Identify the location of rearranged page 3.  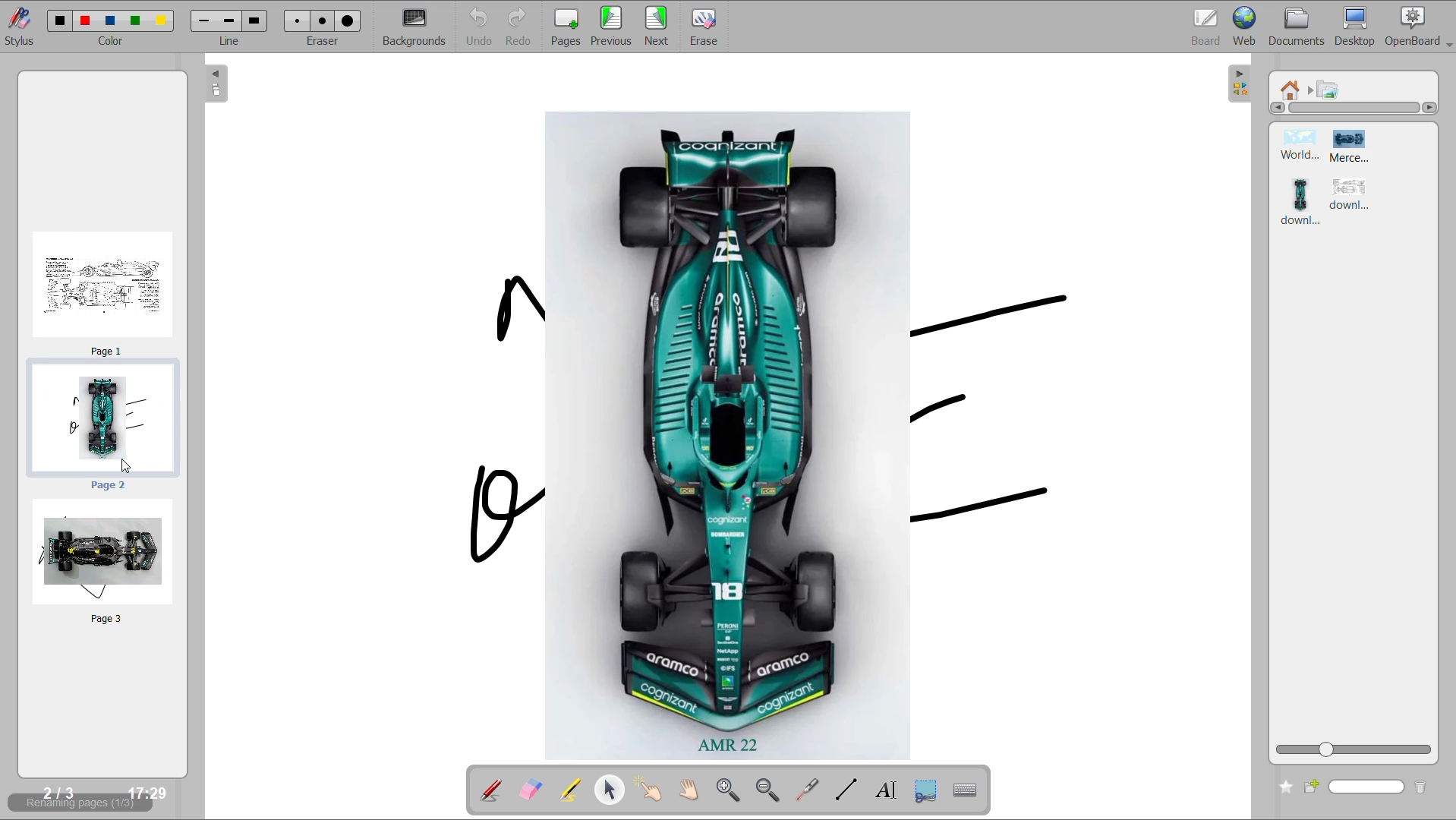
(104, 566).